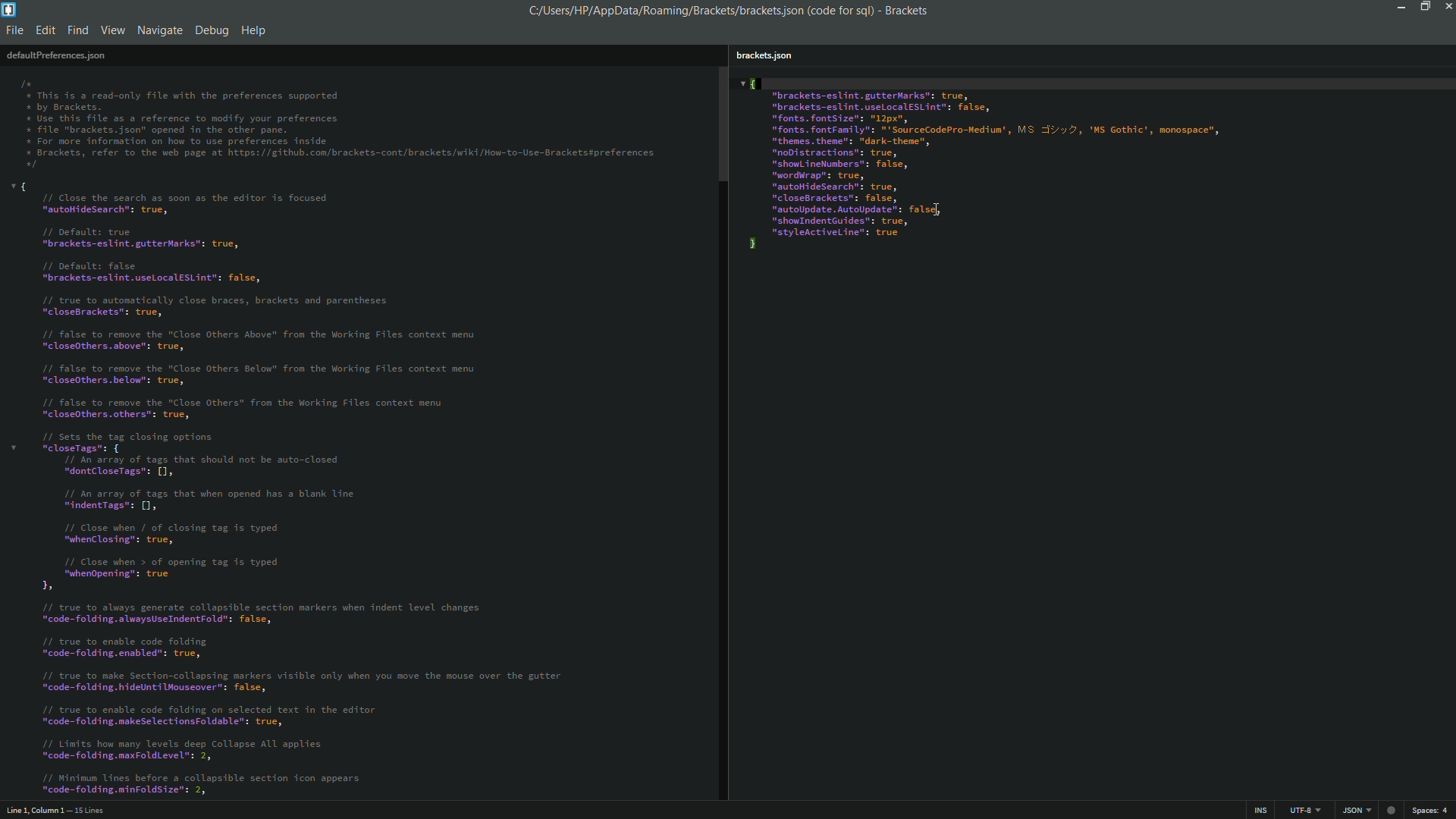  What do you see at coordinates (1354, 810) in the screenshot?
I see `JSON` at bounding box center [1354, 810].